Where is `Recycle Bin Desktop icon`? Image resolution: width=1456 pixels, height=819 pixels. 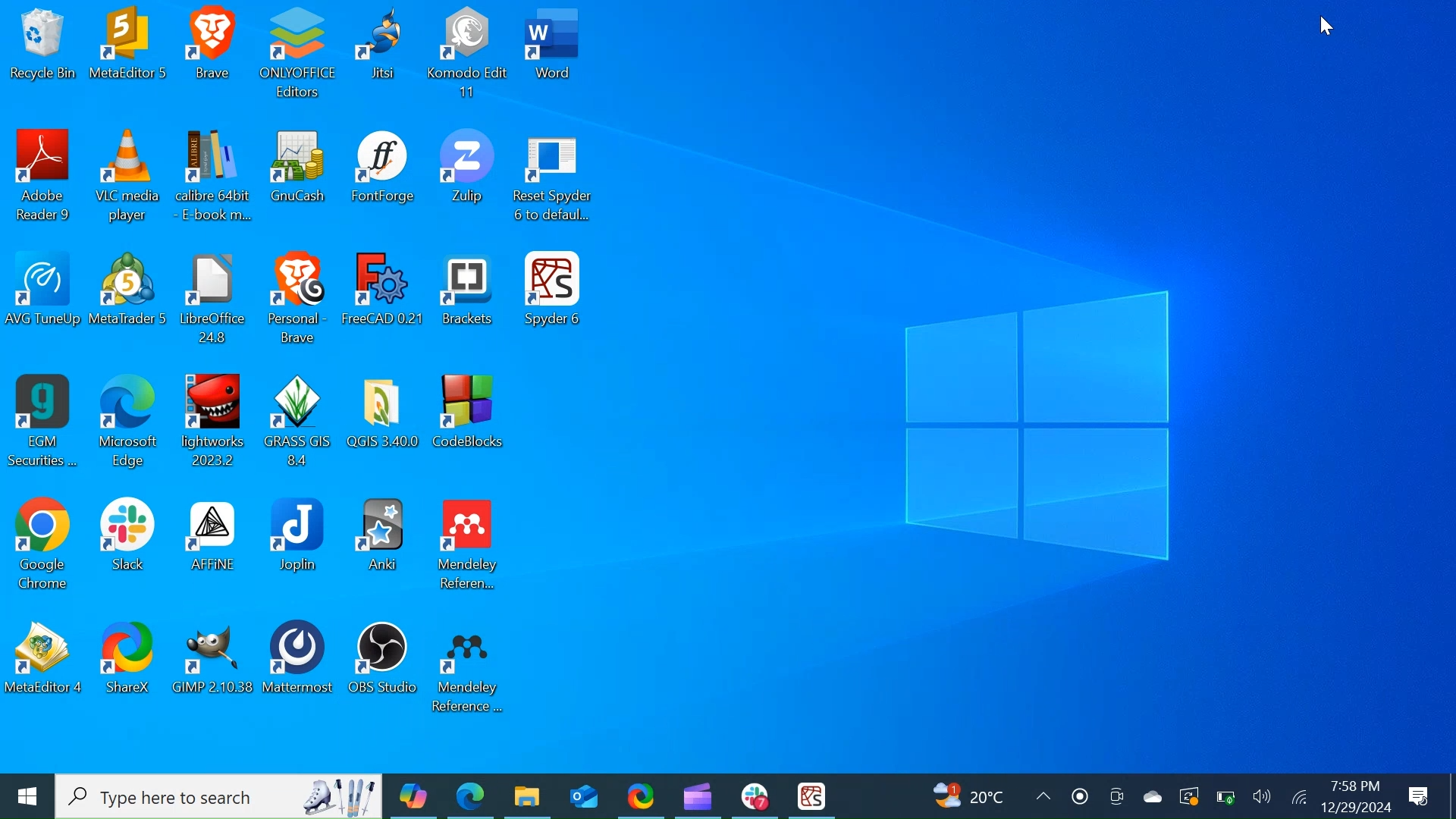 Recycle Bin Desktop icon is located at coordinates (45, 52).